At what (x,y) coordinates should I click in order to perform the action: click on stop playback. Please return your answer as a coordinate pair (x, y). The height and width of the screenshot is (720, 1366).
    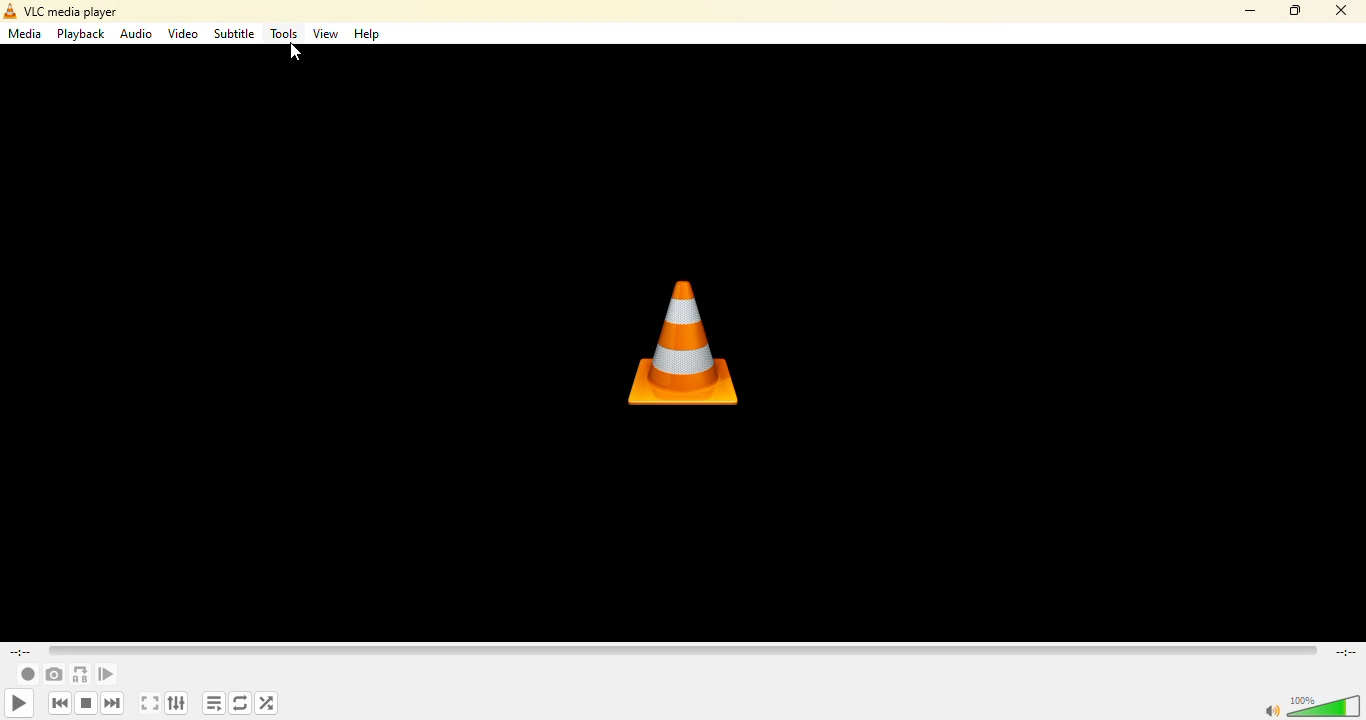
    Looking at the image, I should click on (86, 701).